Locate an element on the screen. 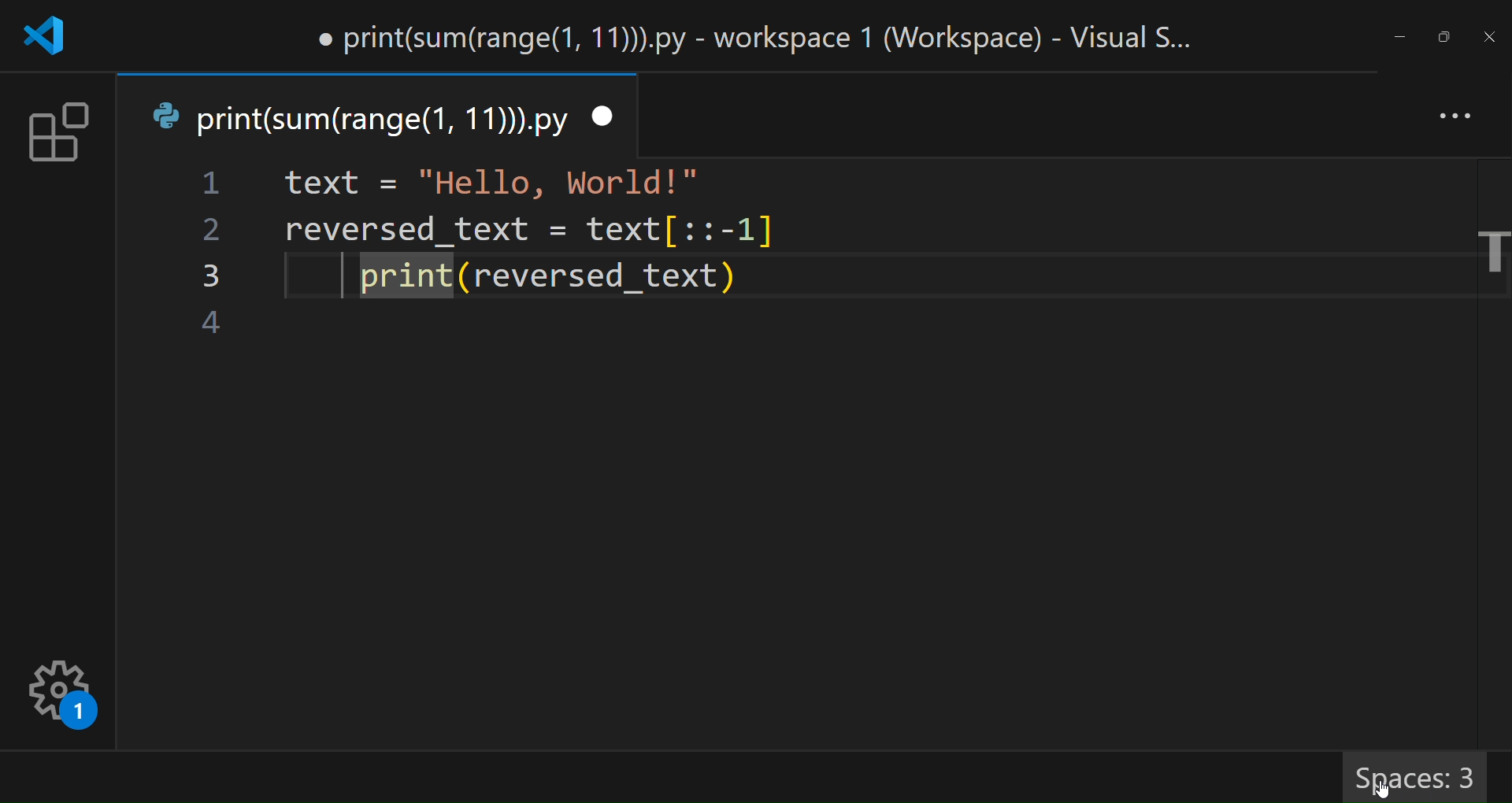 This screenshot has height=803, width=1512. spaces 3 is located at coordinates (1416, 772).